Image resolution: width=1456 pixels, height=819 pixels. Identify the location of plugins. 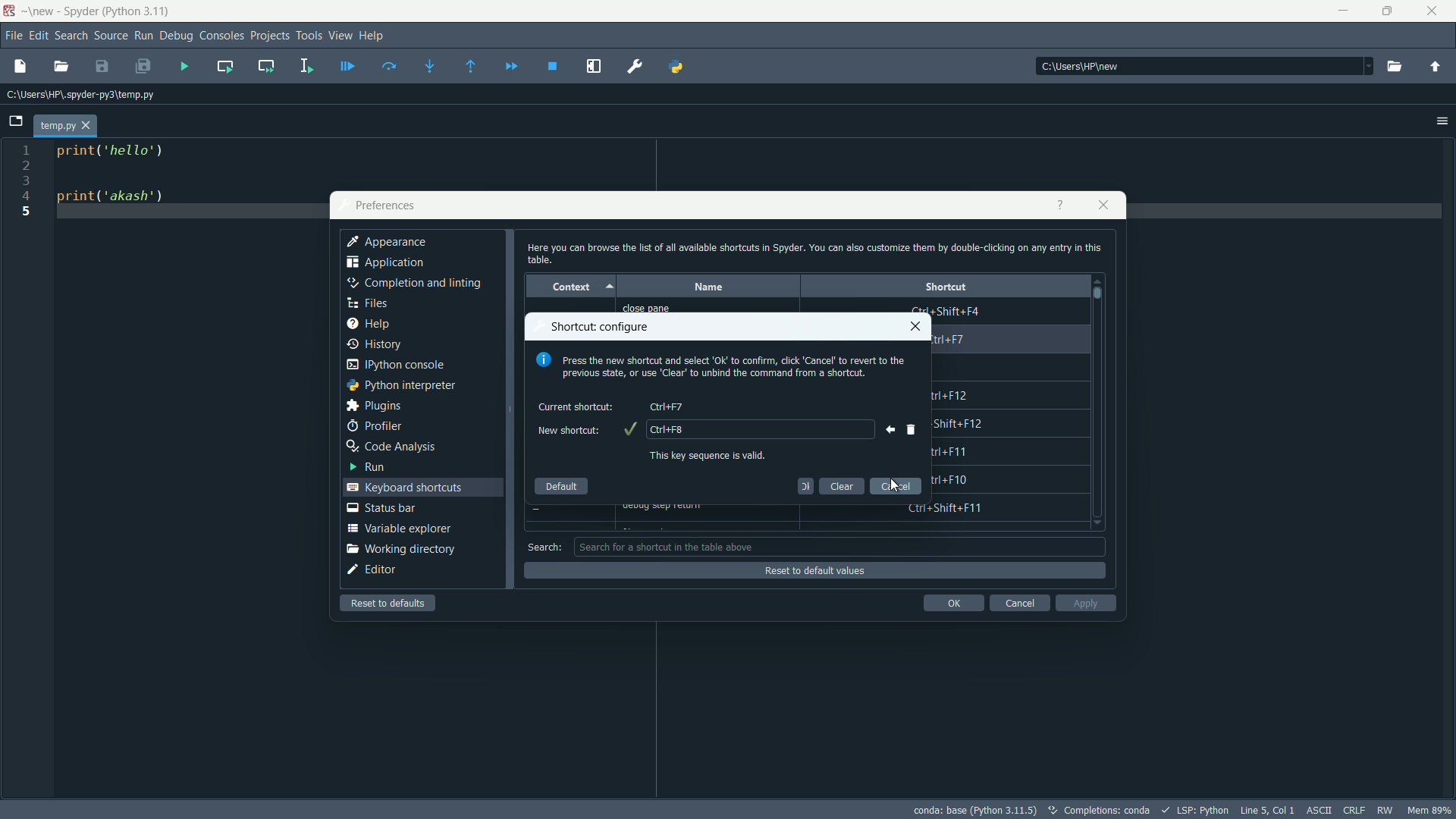
(373, 406).